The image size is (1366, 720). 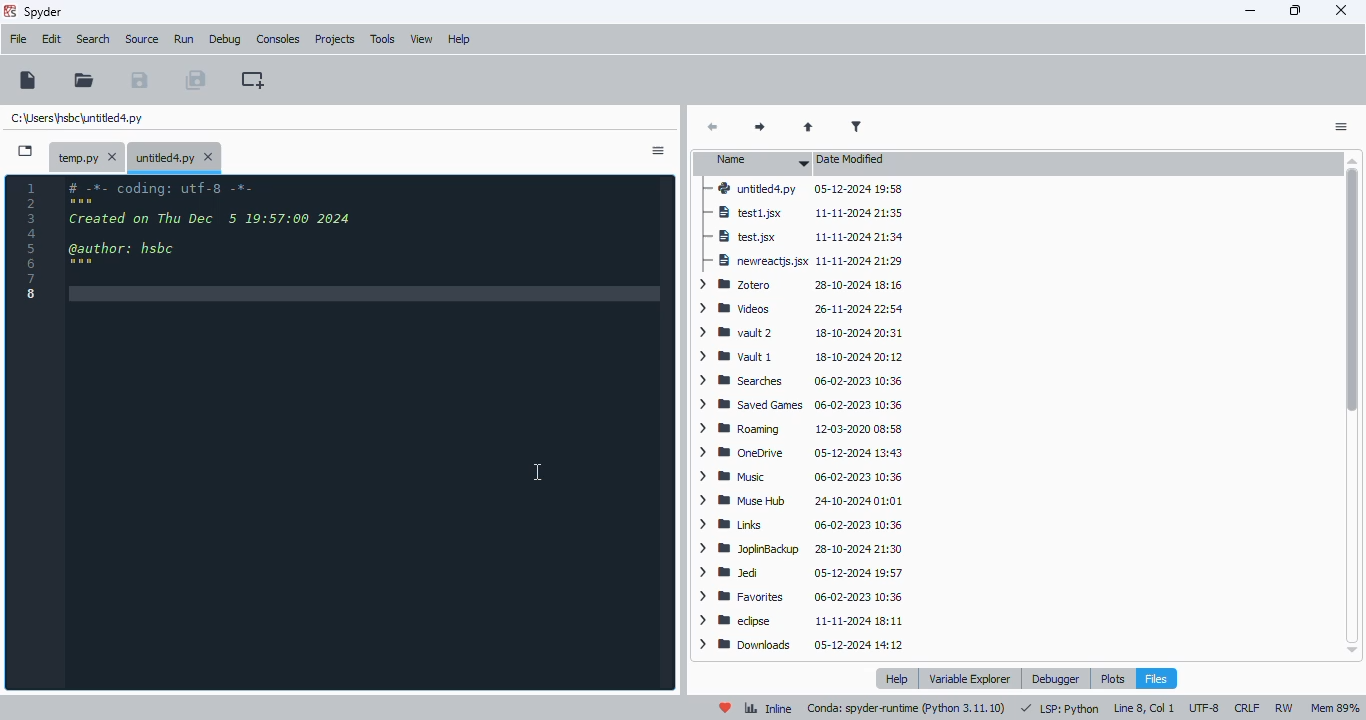 I want to click on create new cell at the current line, so click(x=252, y=79).